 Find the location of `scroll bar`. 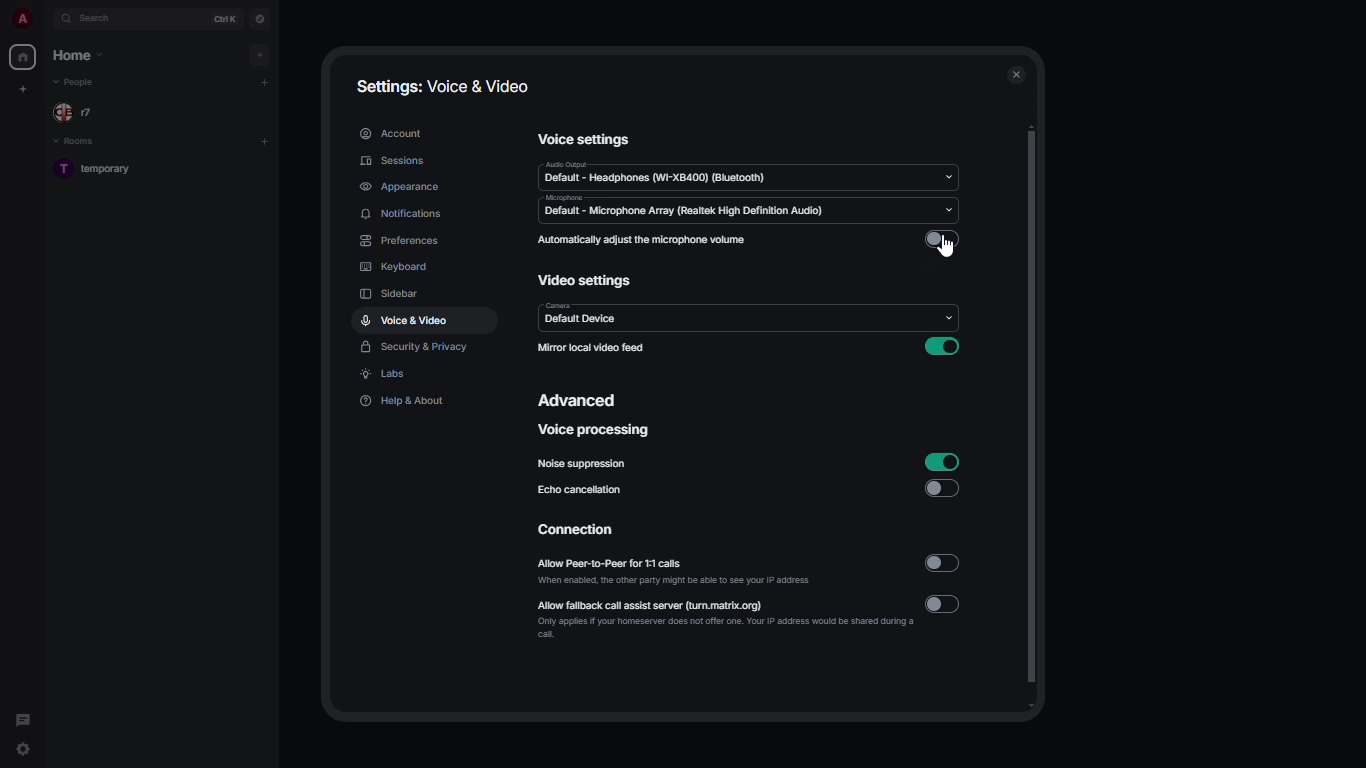

scroll bar is located at coordinates (1034, 414).